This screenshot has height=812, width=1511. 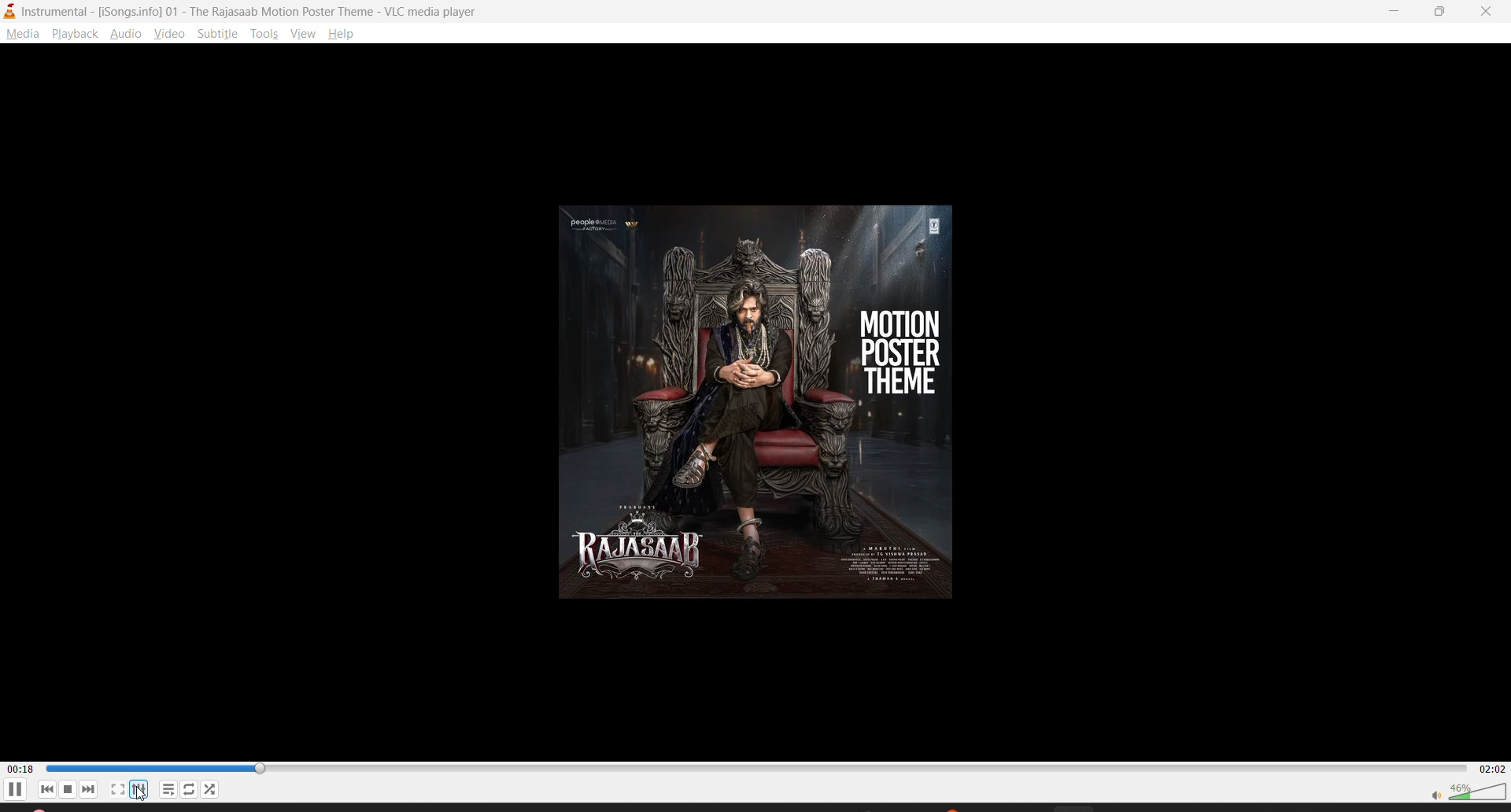 I want to click on volume, so click(x=1468, y=790).